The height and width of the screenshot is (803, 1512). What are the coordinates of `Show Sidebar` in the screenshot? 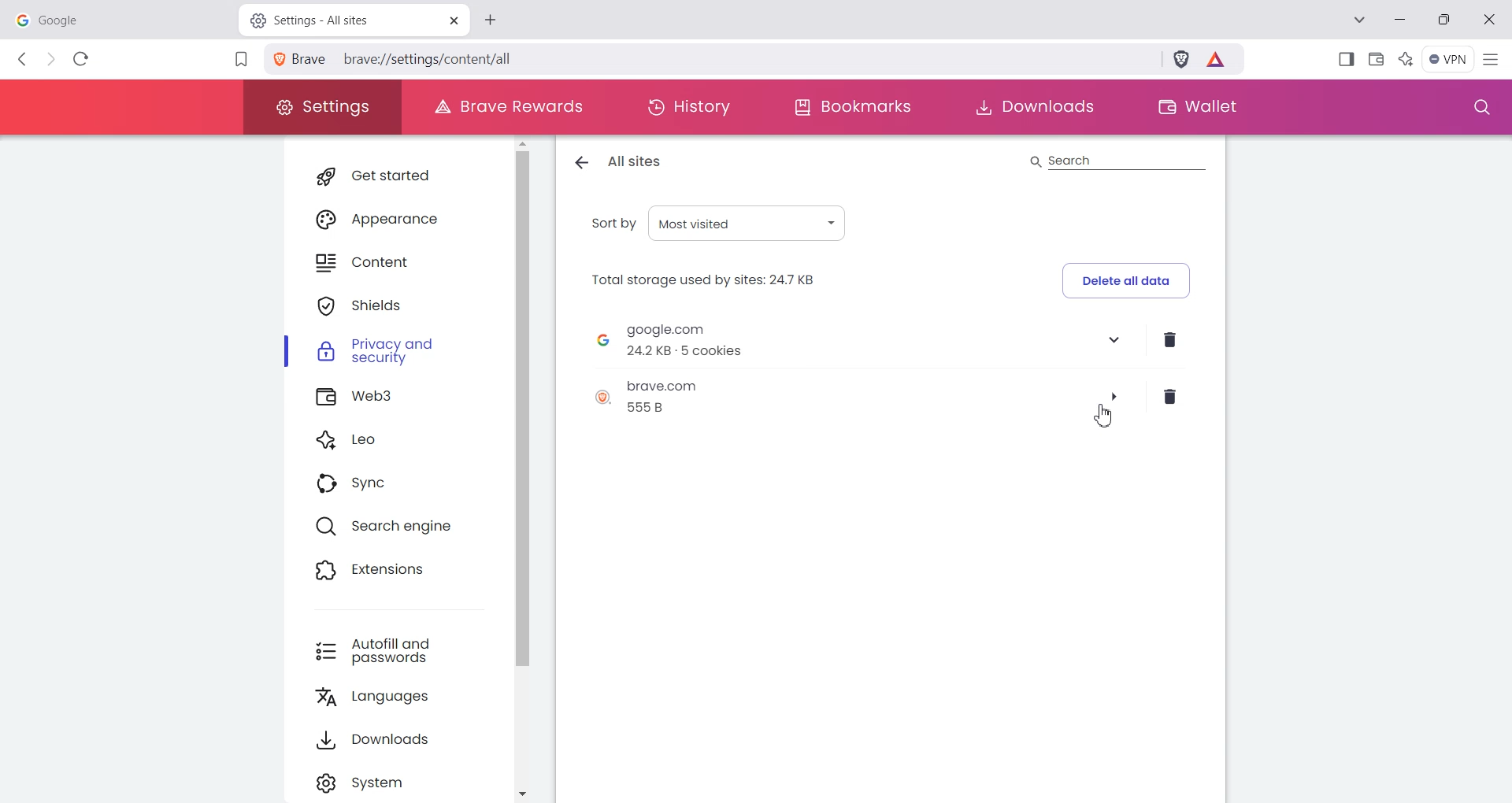 It's located at (1347, 58).